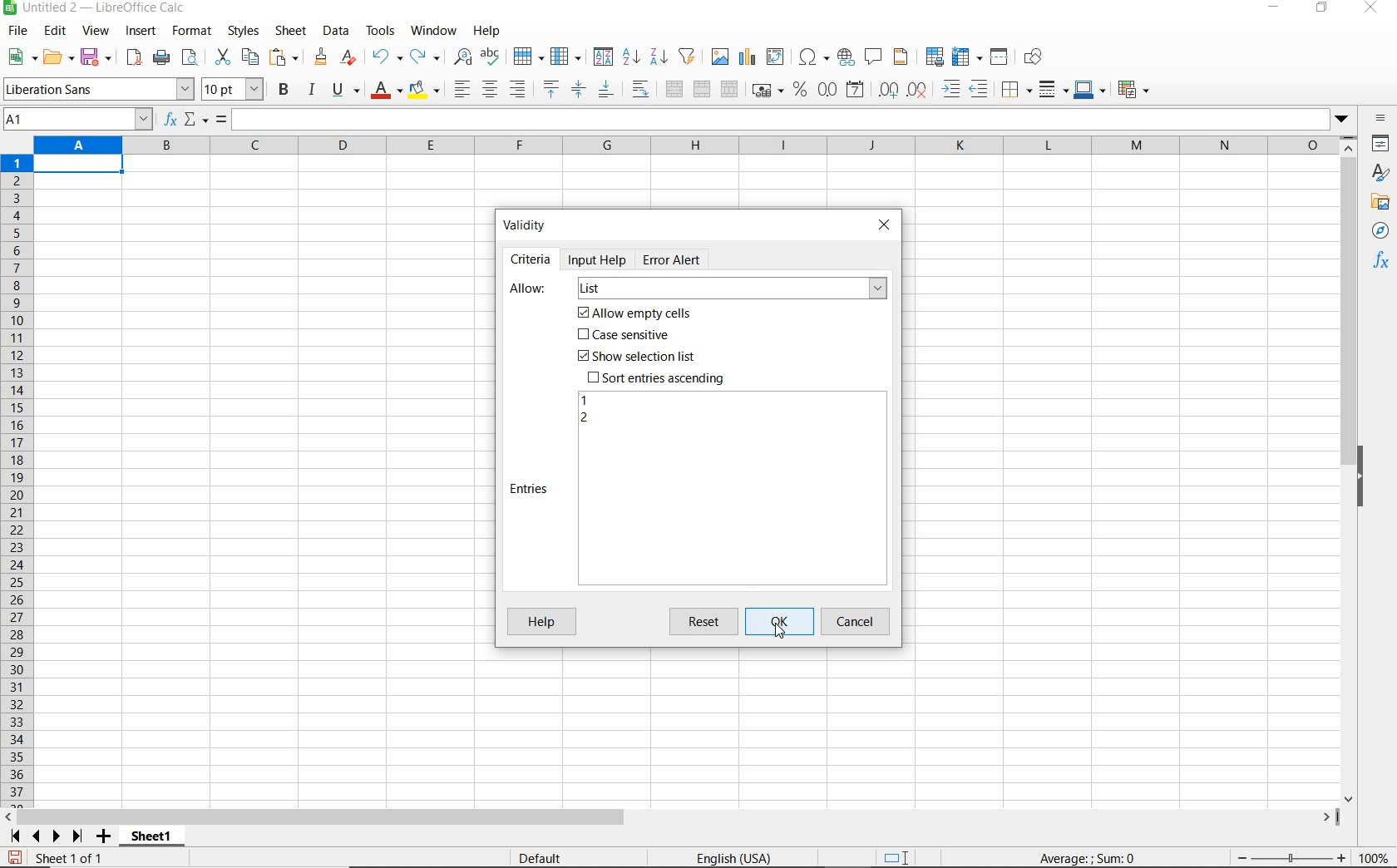 The width and height of the screenshot is (1397, 868). Describe the element at coordinates (952, 89) in the screenshot. I see `increase indent` at that location.